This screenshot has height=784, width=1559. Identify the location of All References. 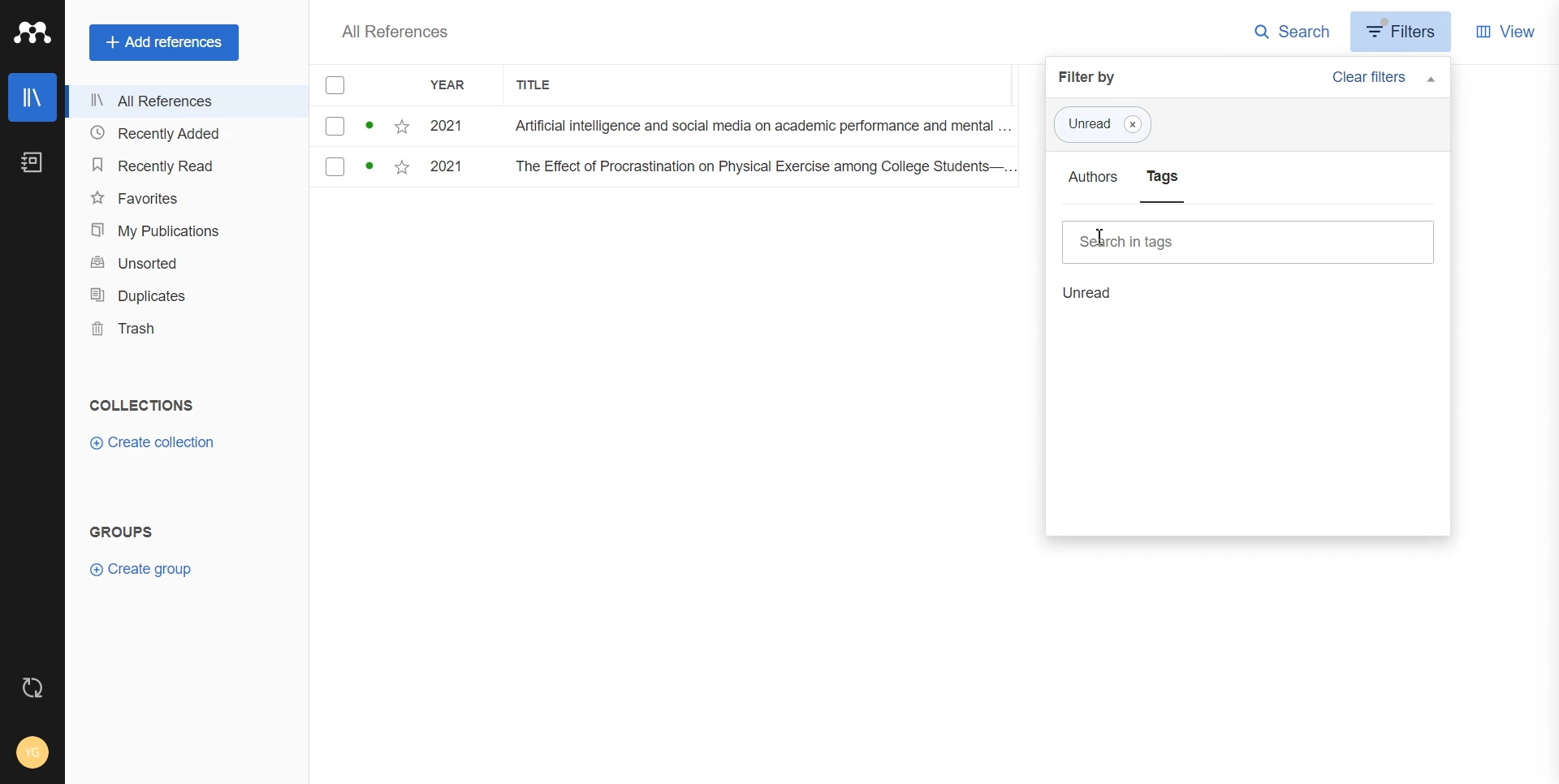
(186, 103).